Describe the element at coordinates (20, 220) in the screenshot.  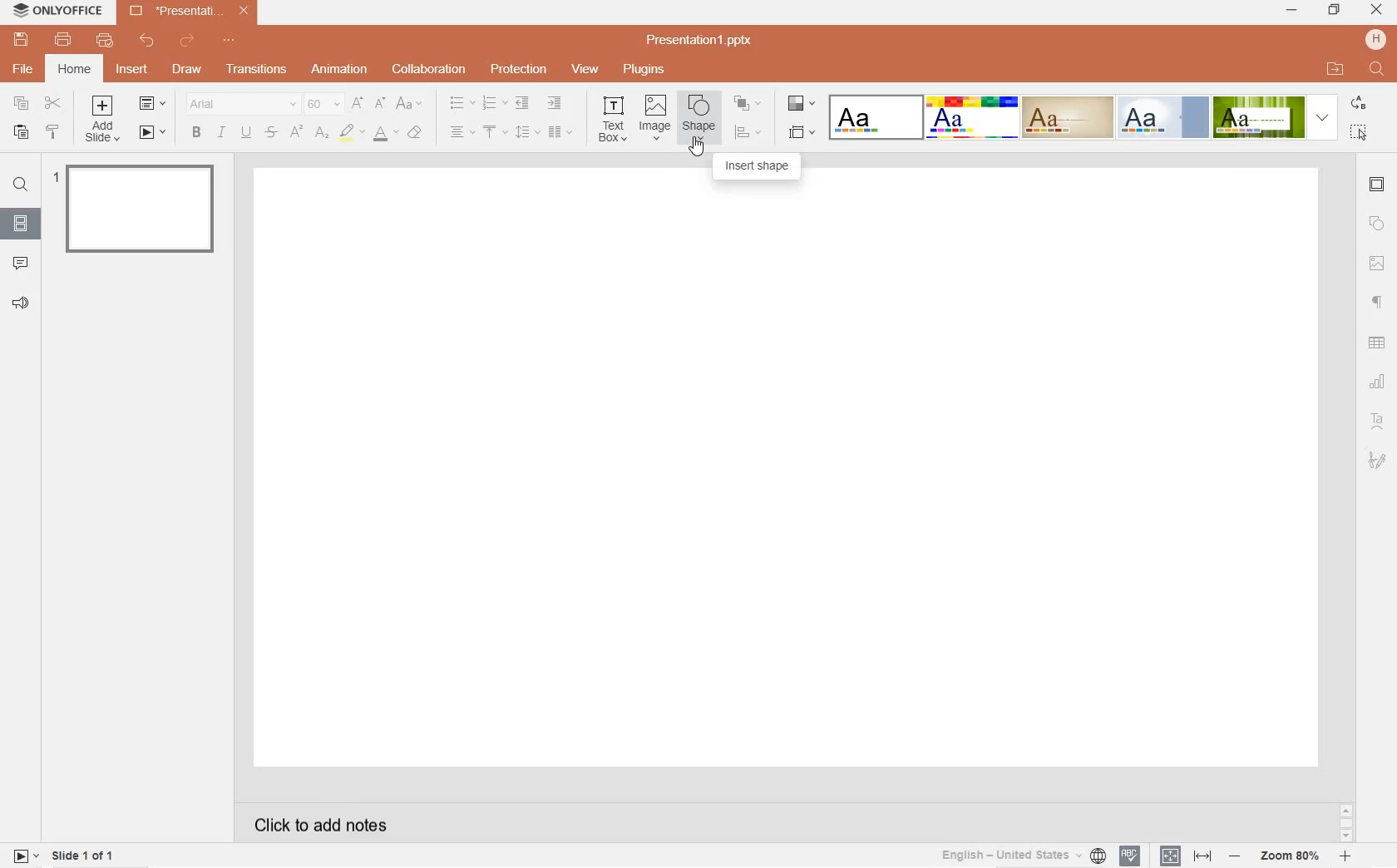
I see `slides` at that location.